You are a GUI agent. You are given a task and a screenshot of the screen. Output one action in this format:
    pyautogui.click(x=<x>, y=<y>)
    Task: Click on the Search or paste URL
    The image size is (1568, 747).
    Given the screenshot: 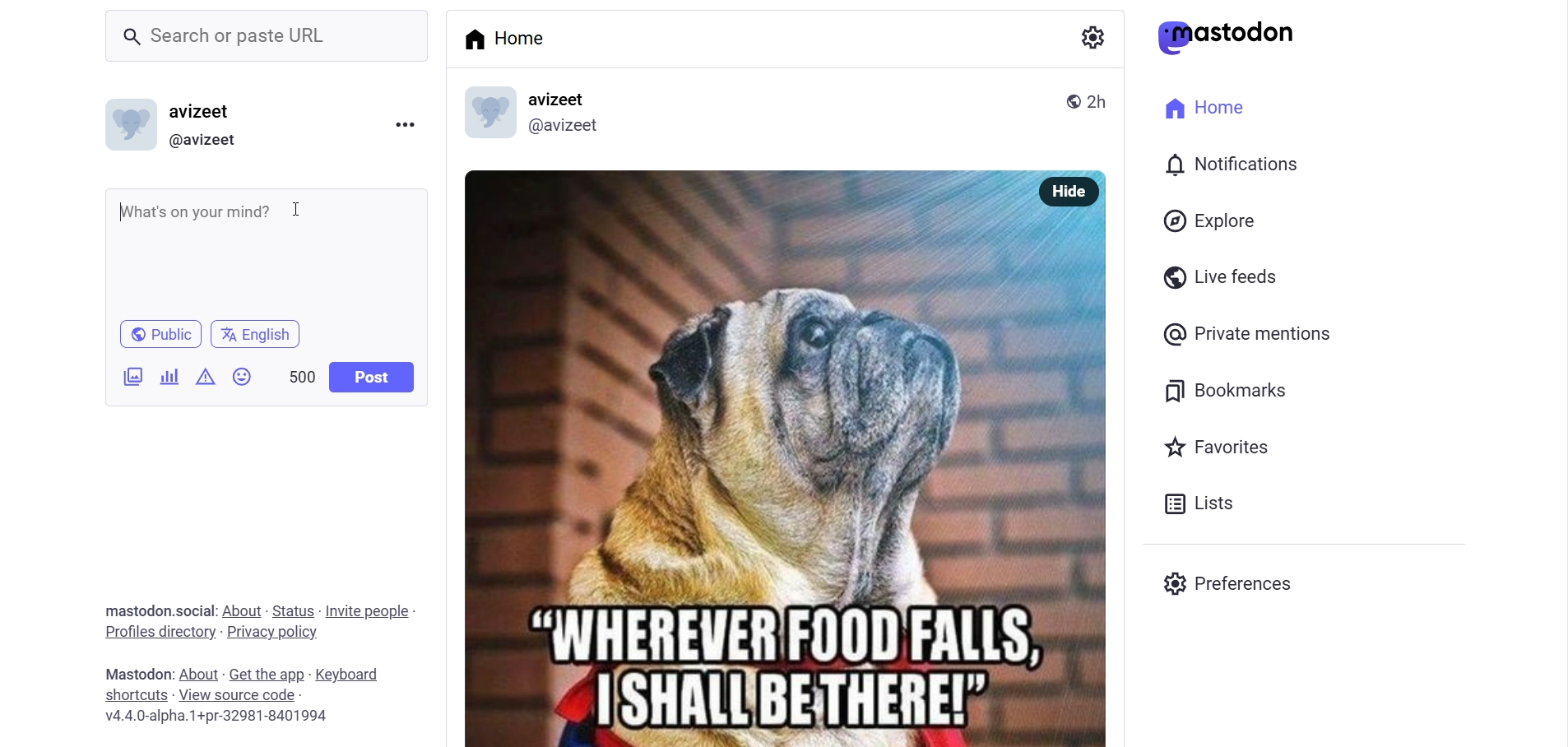 What is the action you would take?
    pyautogui.click(x=234, y=39)
    